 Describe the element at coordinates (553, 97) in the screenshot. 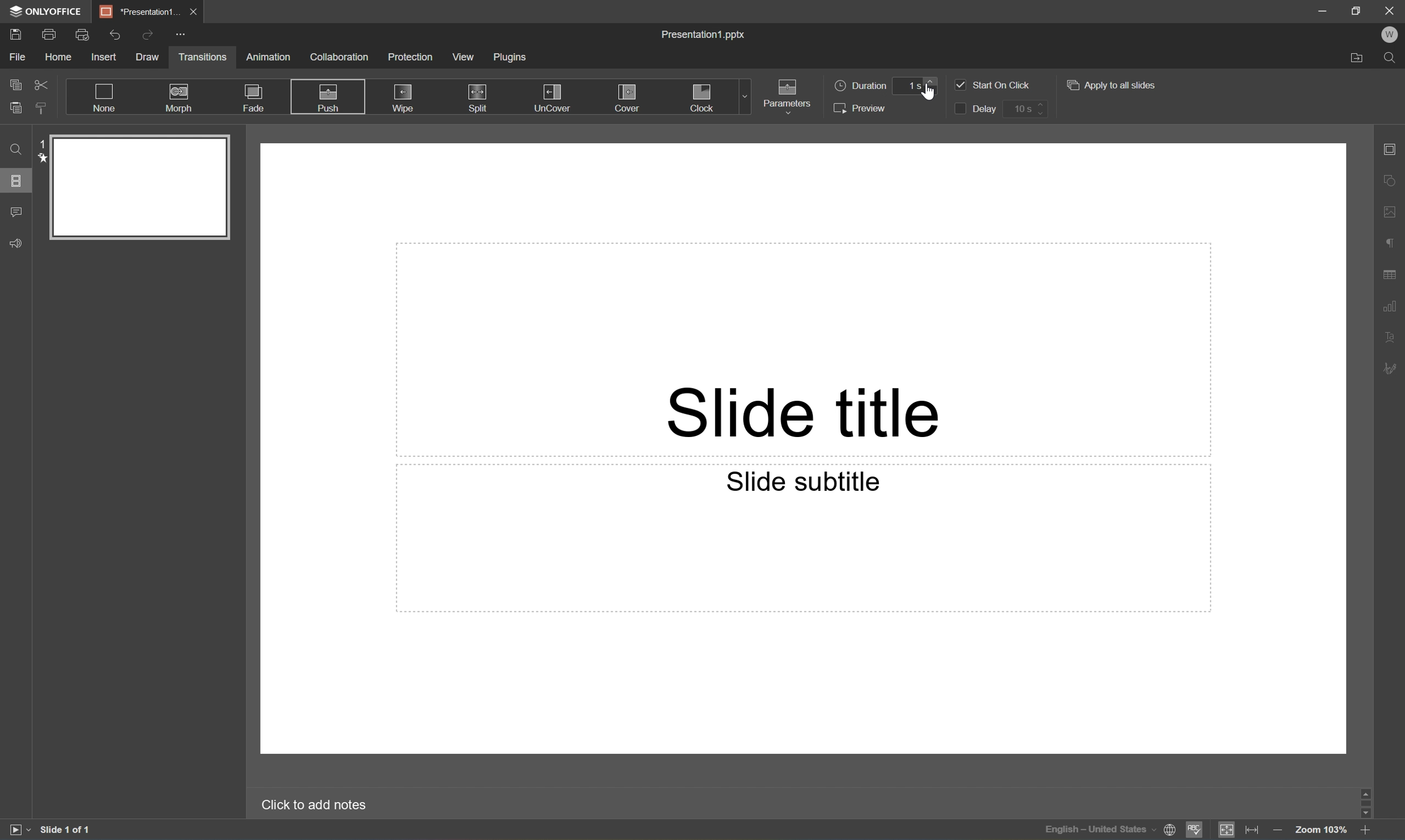

I see `UnCover` at that location.